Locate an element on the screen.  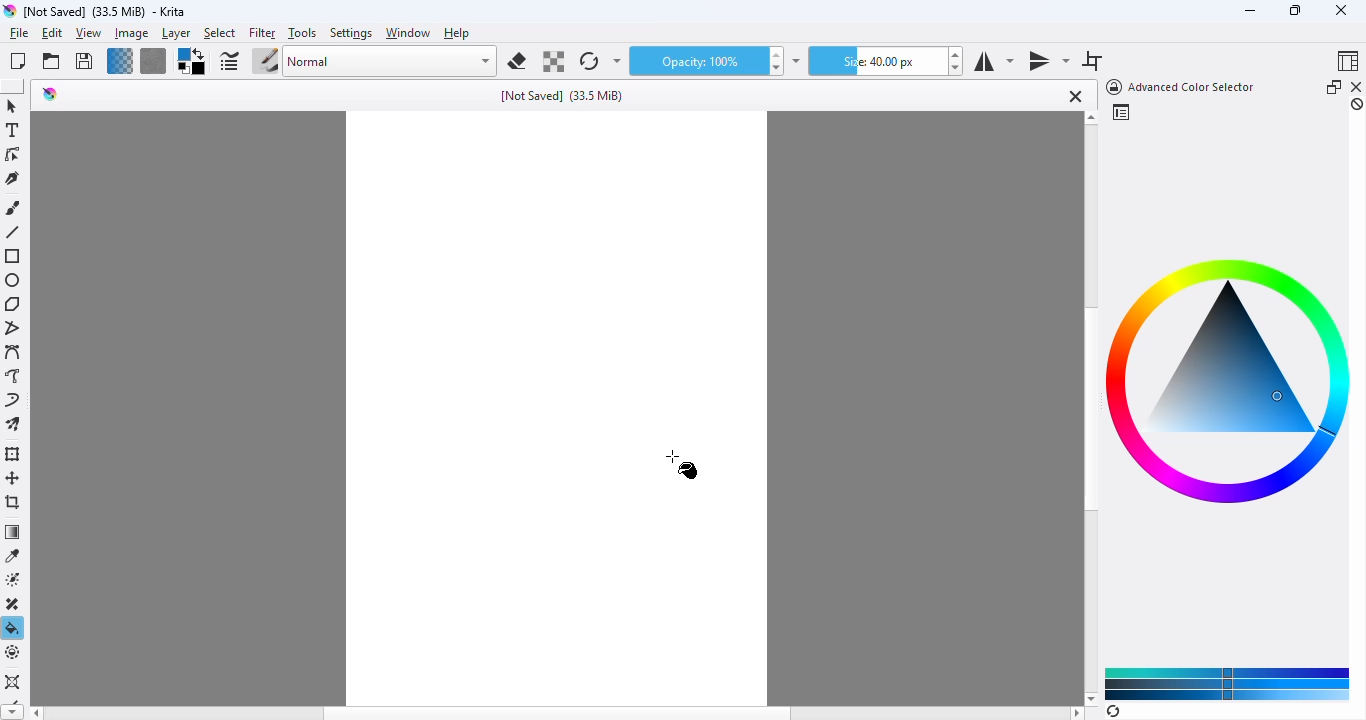
layer is located at coordinates (176, 34).